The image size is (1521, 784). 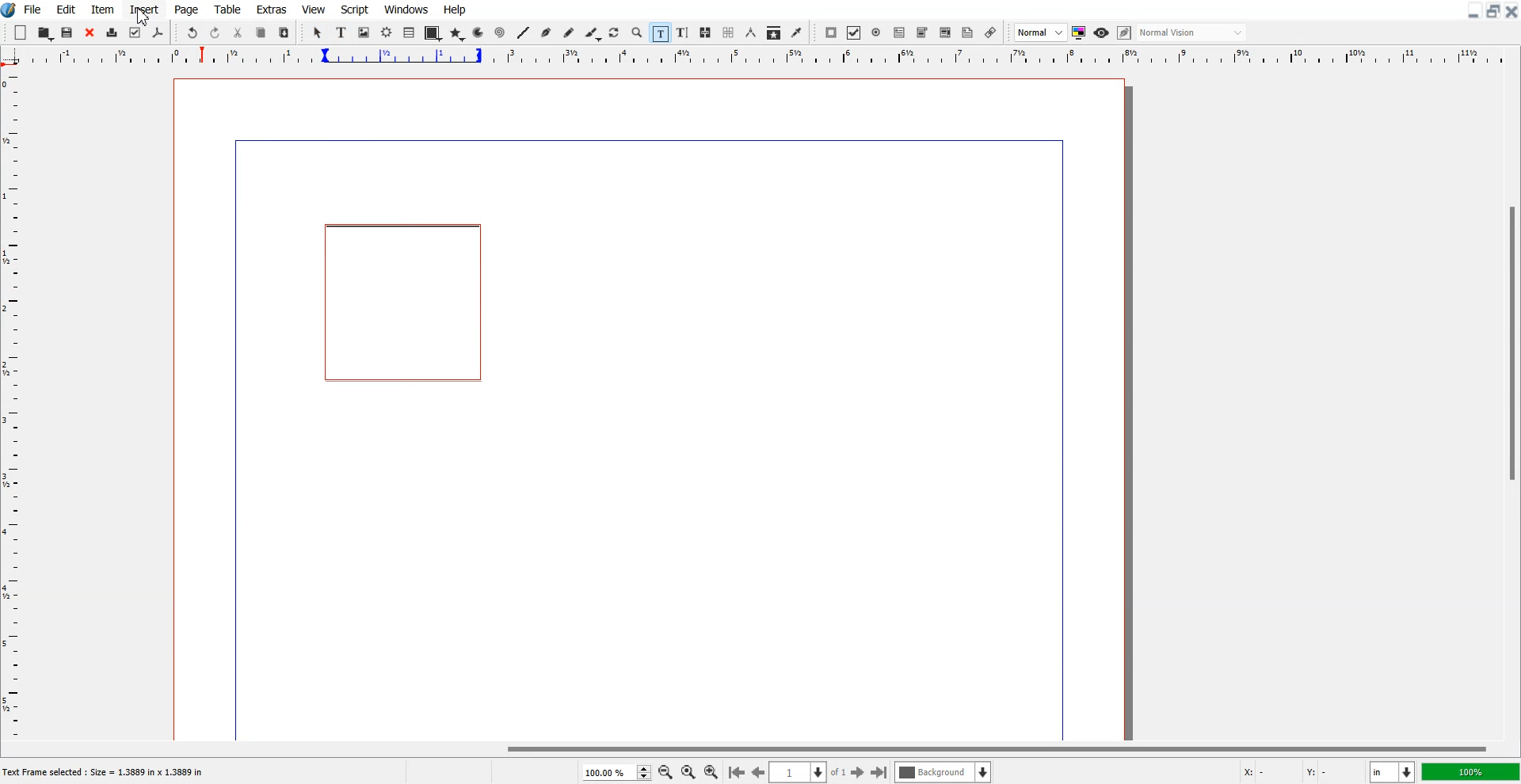 I want to click on Bezier curve, so click(x=547, y=33).